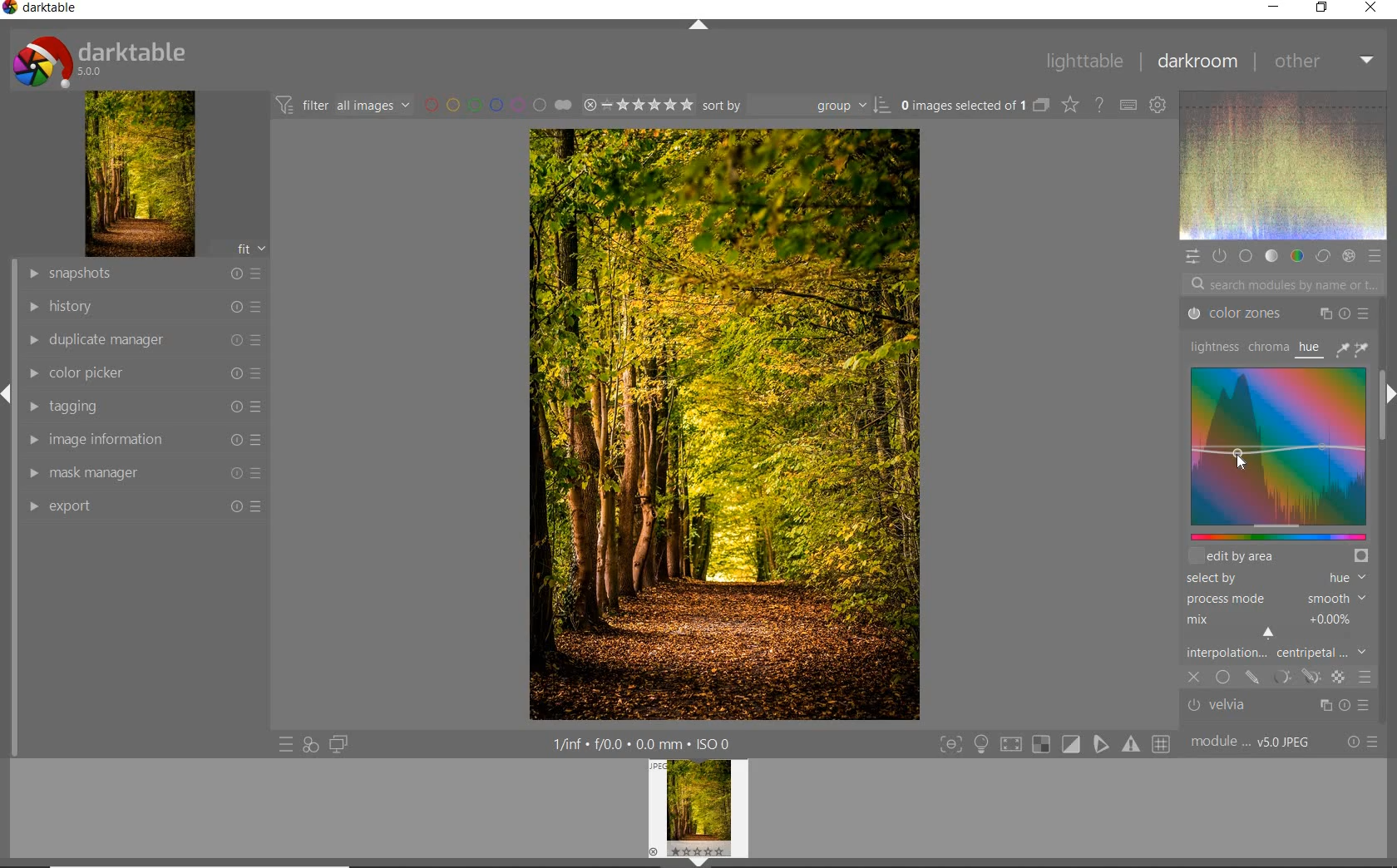 This screenshot has height=868, width=1397. Describe the element at coordinates (146, 441) in the screenshot. I see `IMAGE INFORMATION` at that location.